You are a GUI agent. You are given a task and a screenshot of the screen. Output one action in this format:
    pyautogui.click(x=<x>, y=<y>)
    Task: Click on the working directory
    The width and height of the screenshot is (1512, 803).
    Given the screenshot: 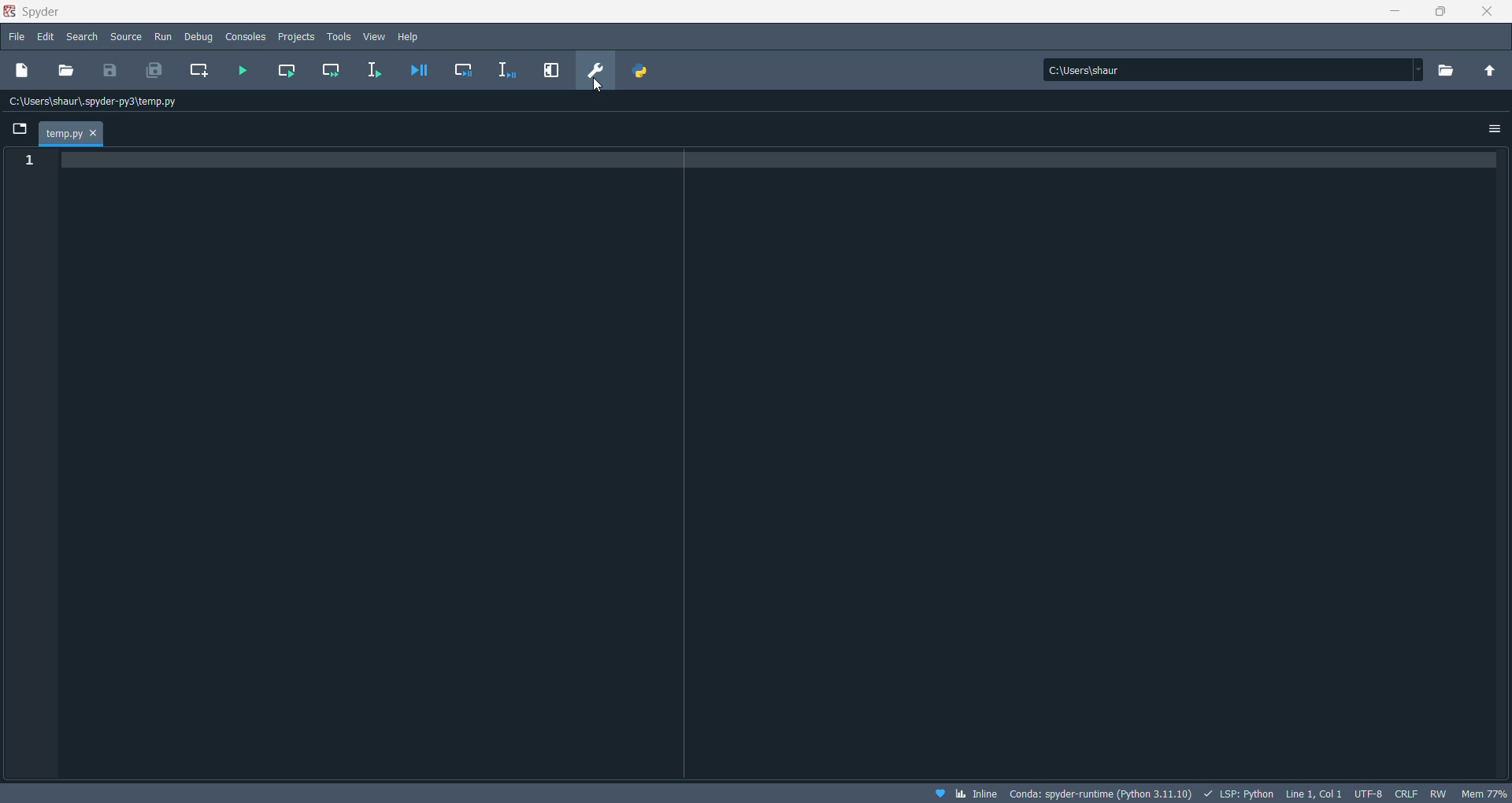 What is the action you would take?
    pyautogui.click(x=1451, y=71)
    